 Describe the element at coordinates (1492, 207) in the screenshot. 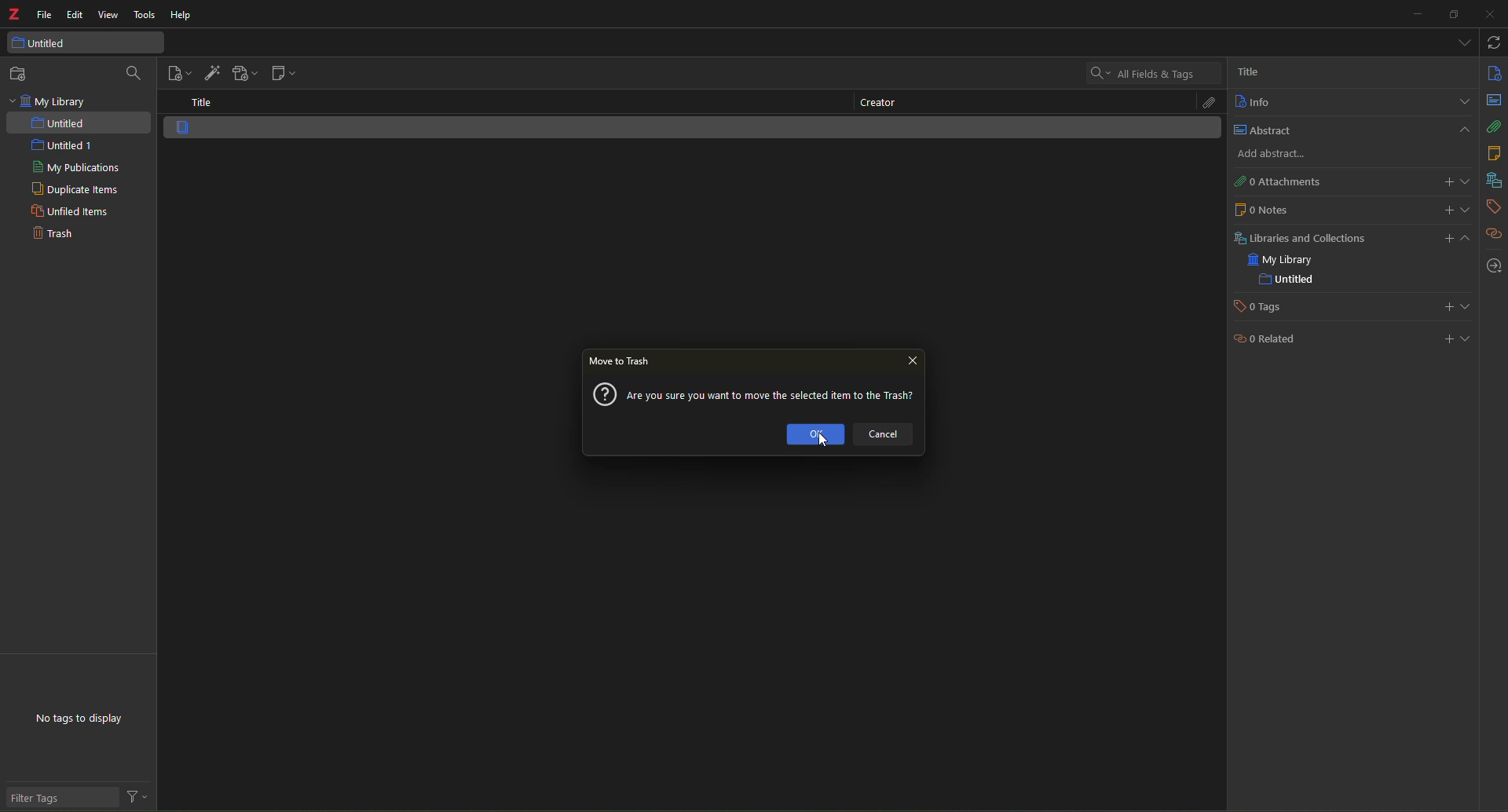

I see `tags` at that location.